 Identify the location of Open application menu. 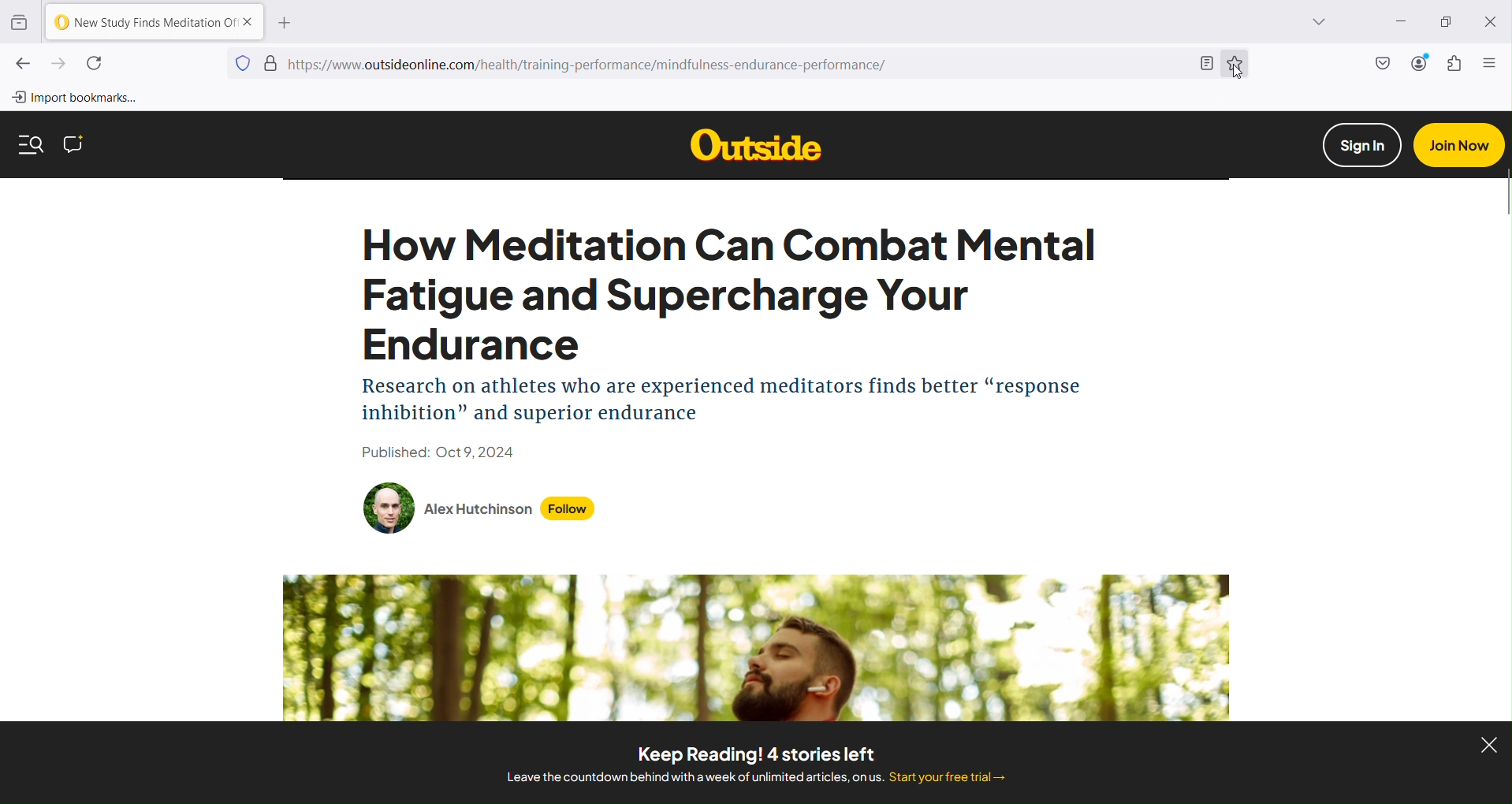
(1490, 62).